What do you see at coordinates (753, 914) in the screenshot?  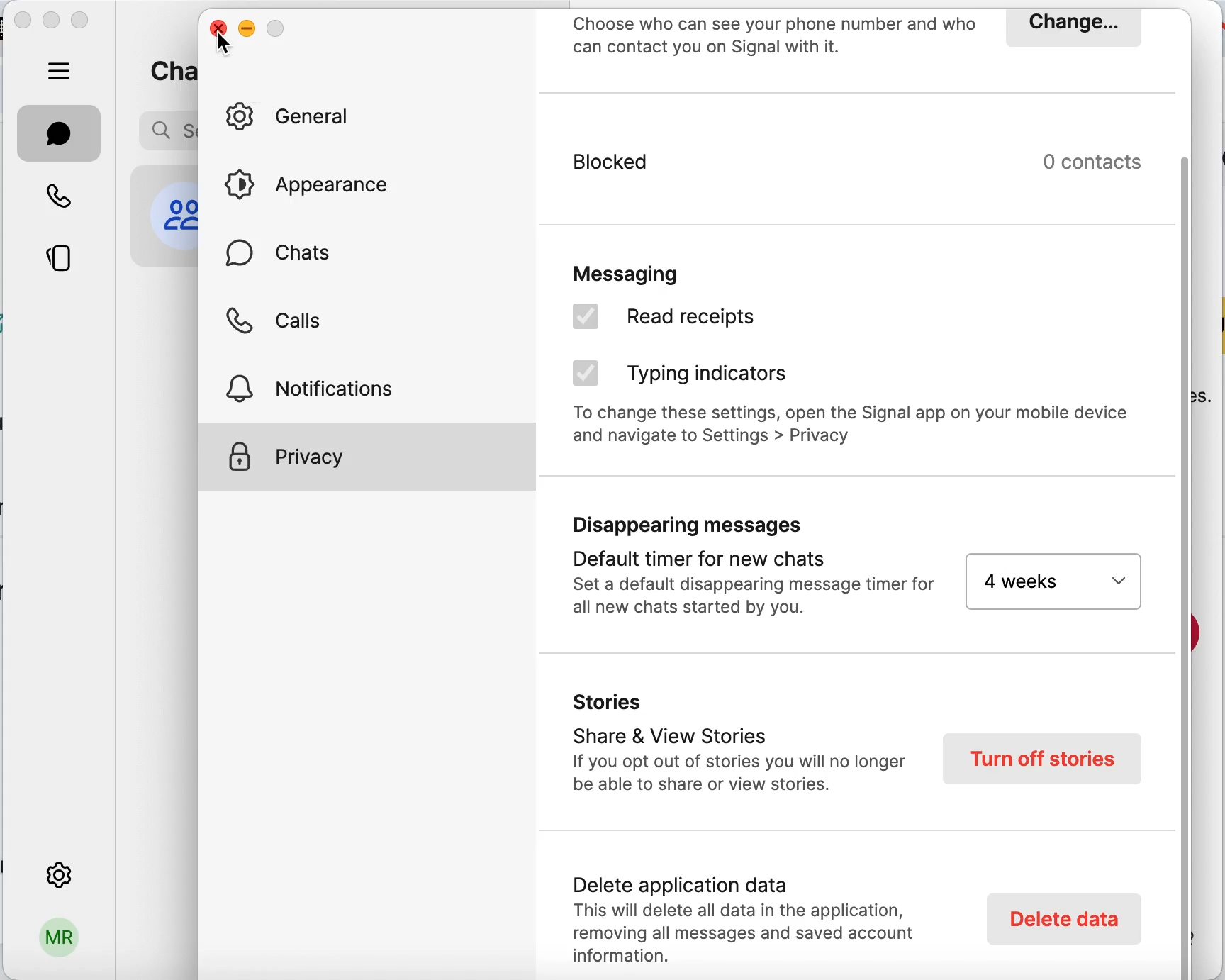 I see `delete application data` at bounding box center [753, 914].